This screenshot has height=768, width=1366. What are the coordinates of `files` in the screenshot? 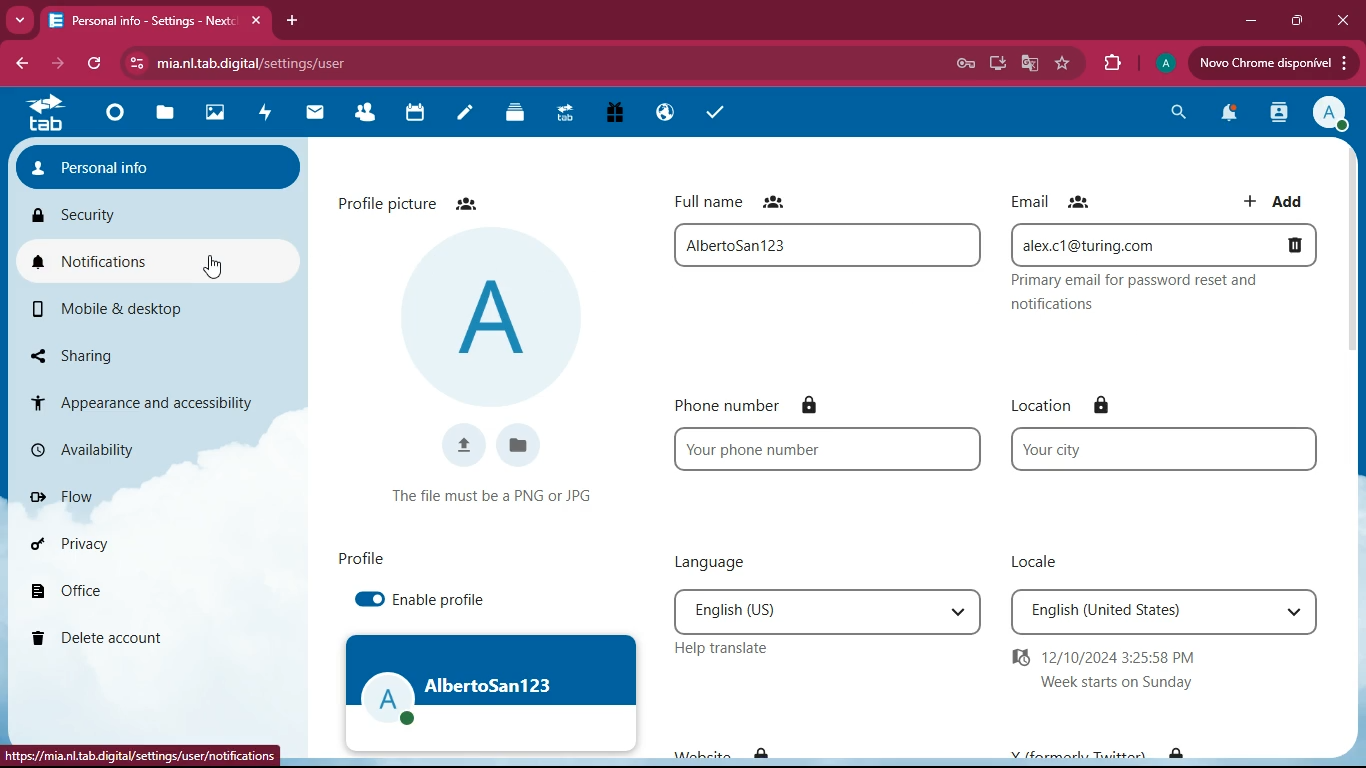 It's located at (520, 447).